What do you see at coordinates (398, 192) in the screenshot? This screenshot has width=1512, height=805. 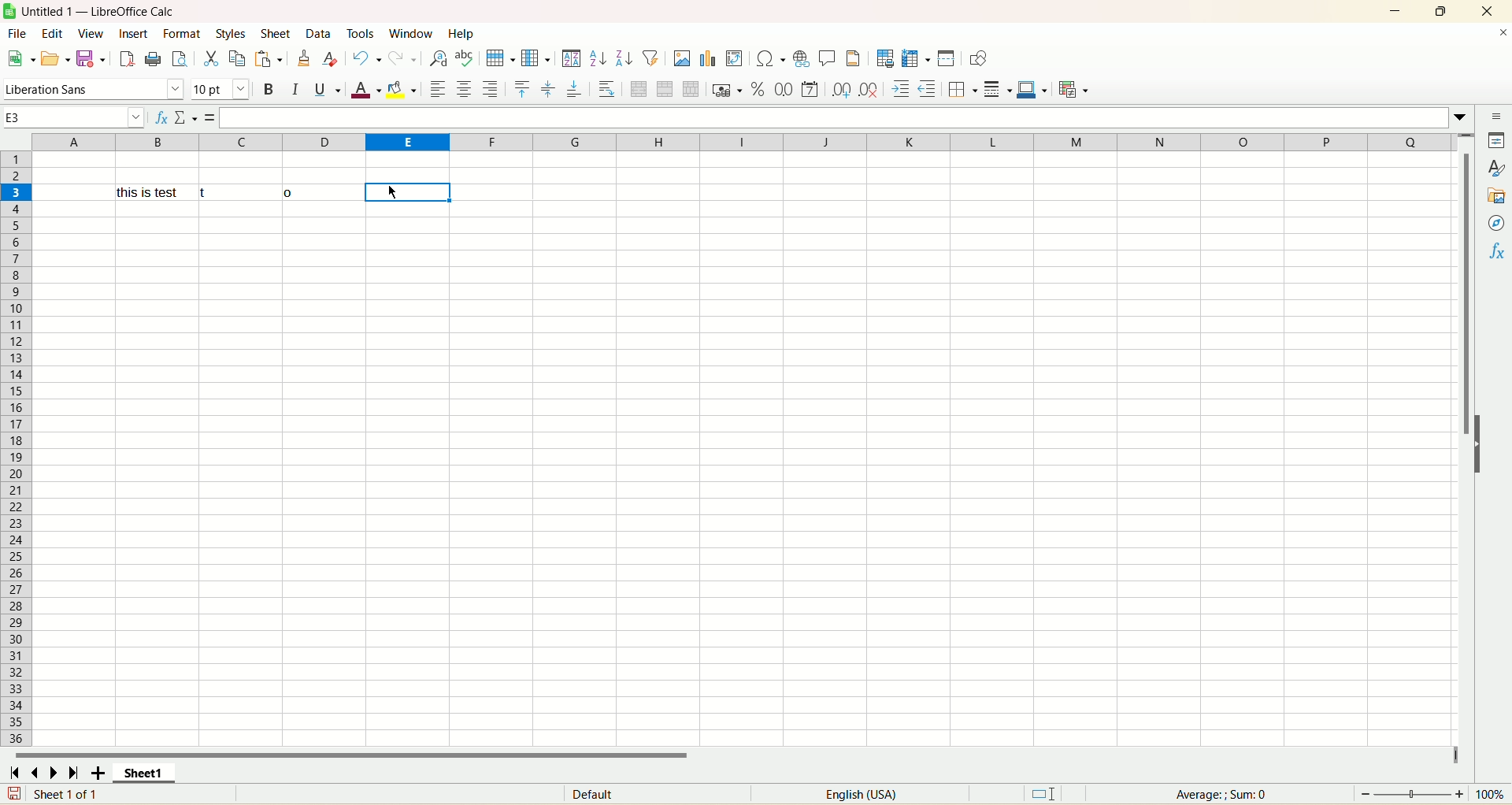 I see `Cursor` at bounding box center [398, 192].